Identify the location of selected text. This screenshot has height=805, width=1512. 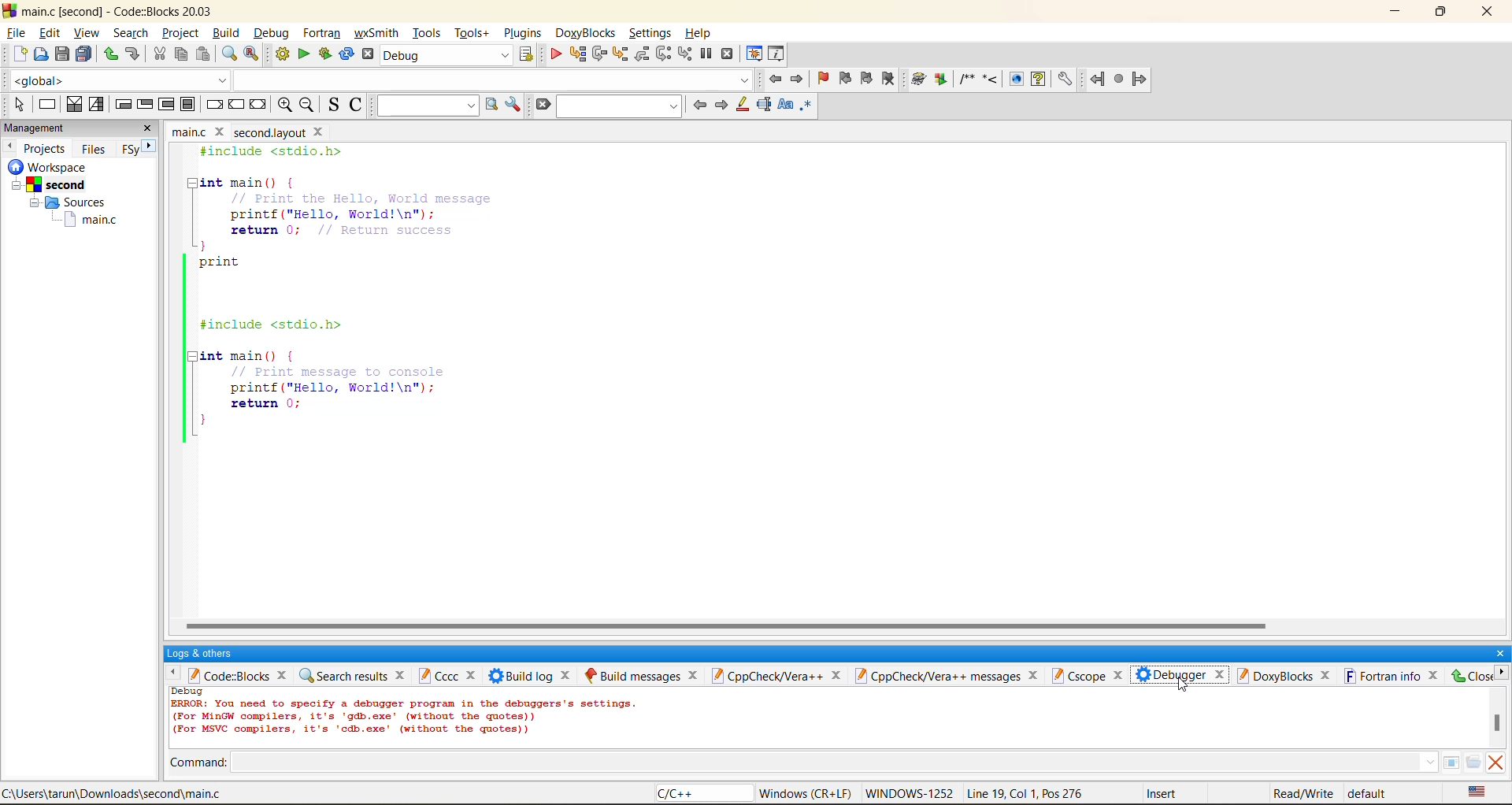
(765, 106).